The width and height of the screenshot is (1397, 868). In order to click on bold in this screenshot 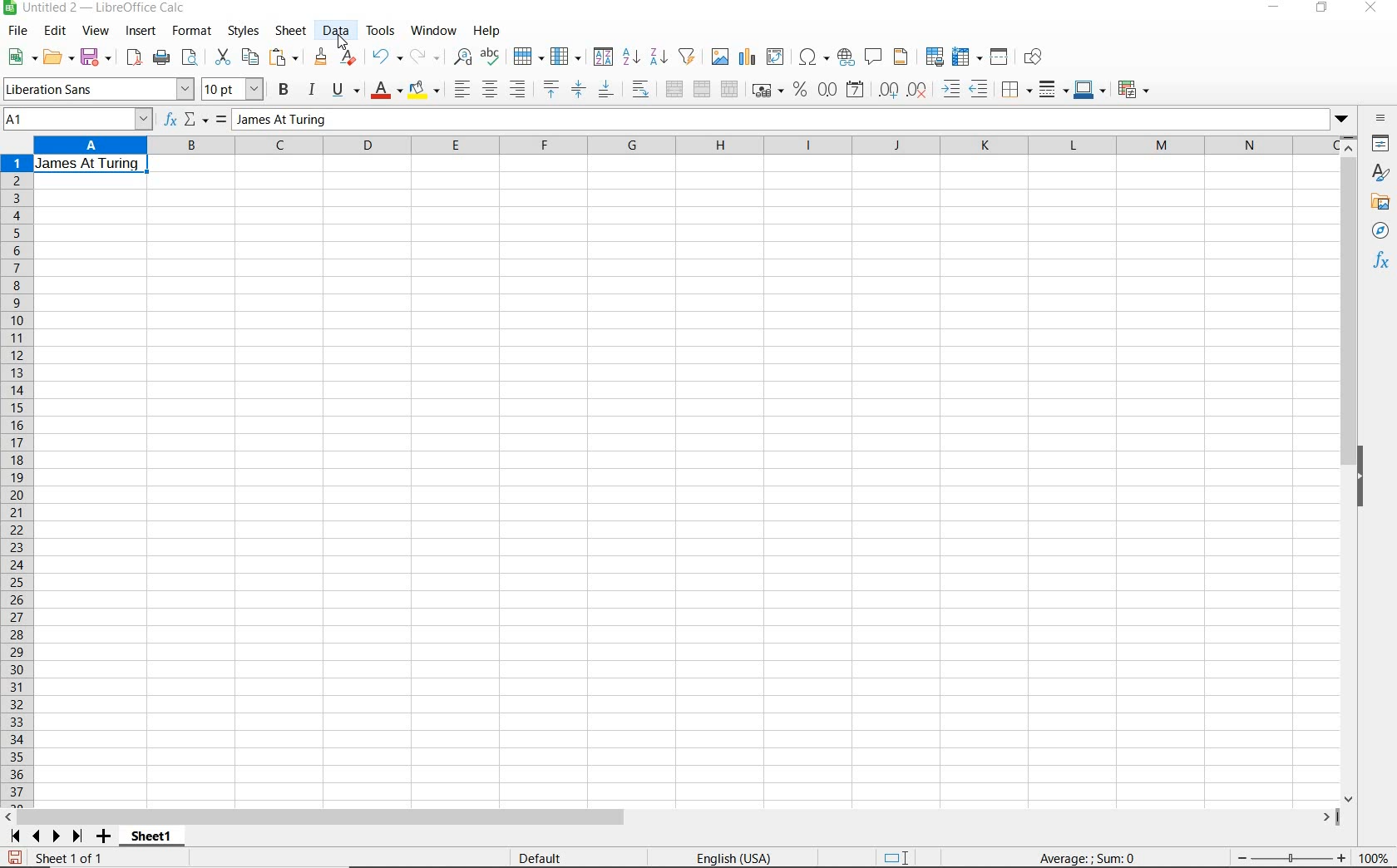, I will do `click(284, 90)`.